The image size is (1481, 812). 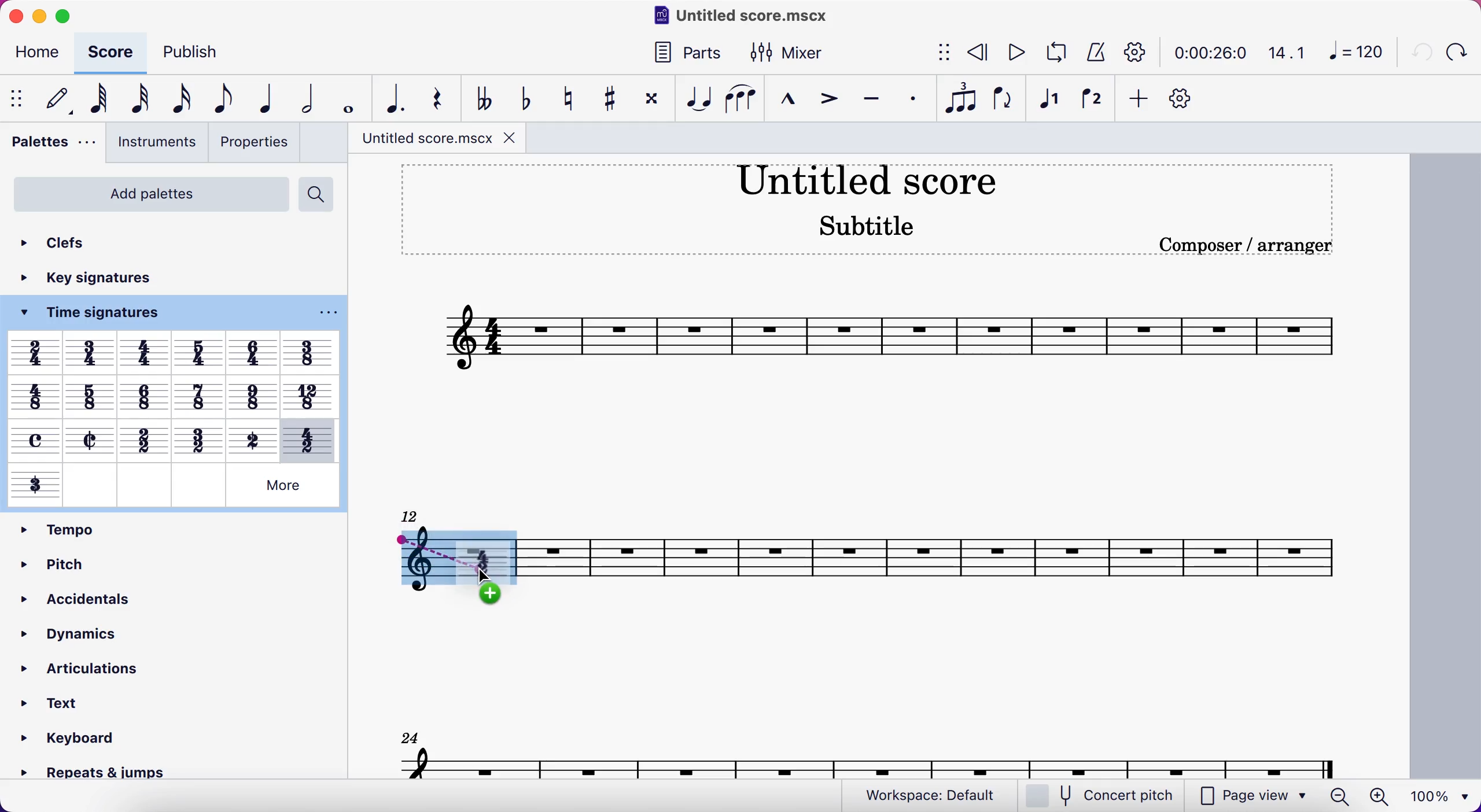 I want to click on rewind, so click(x=973, y=54).